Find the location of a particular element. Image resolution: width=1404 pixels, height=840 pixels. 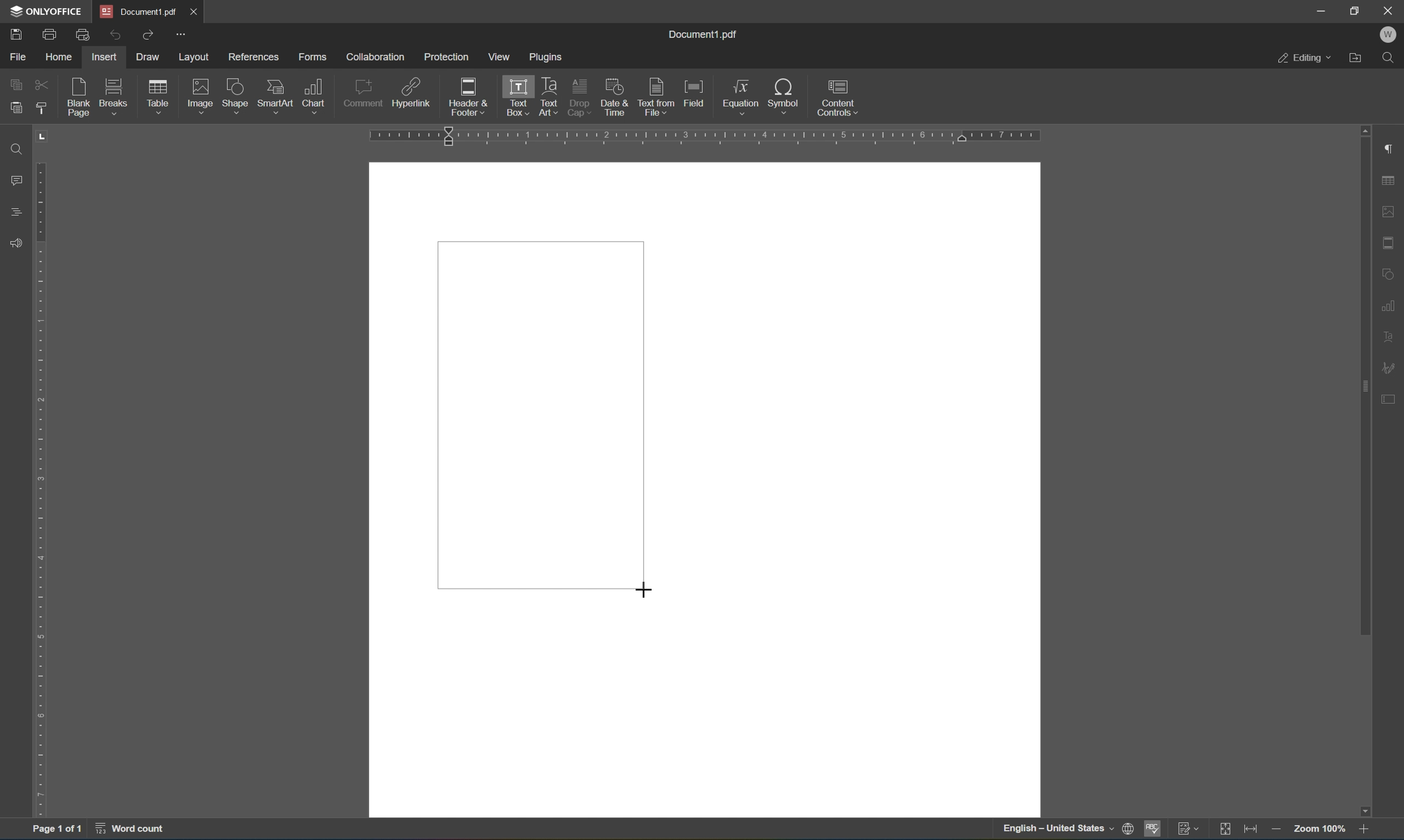

Welcome is located at coordinates (1390, 36).